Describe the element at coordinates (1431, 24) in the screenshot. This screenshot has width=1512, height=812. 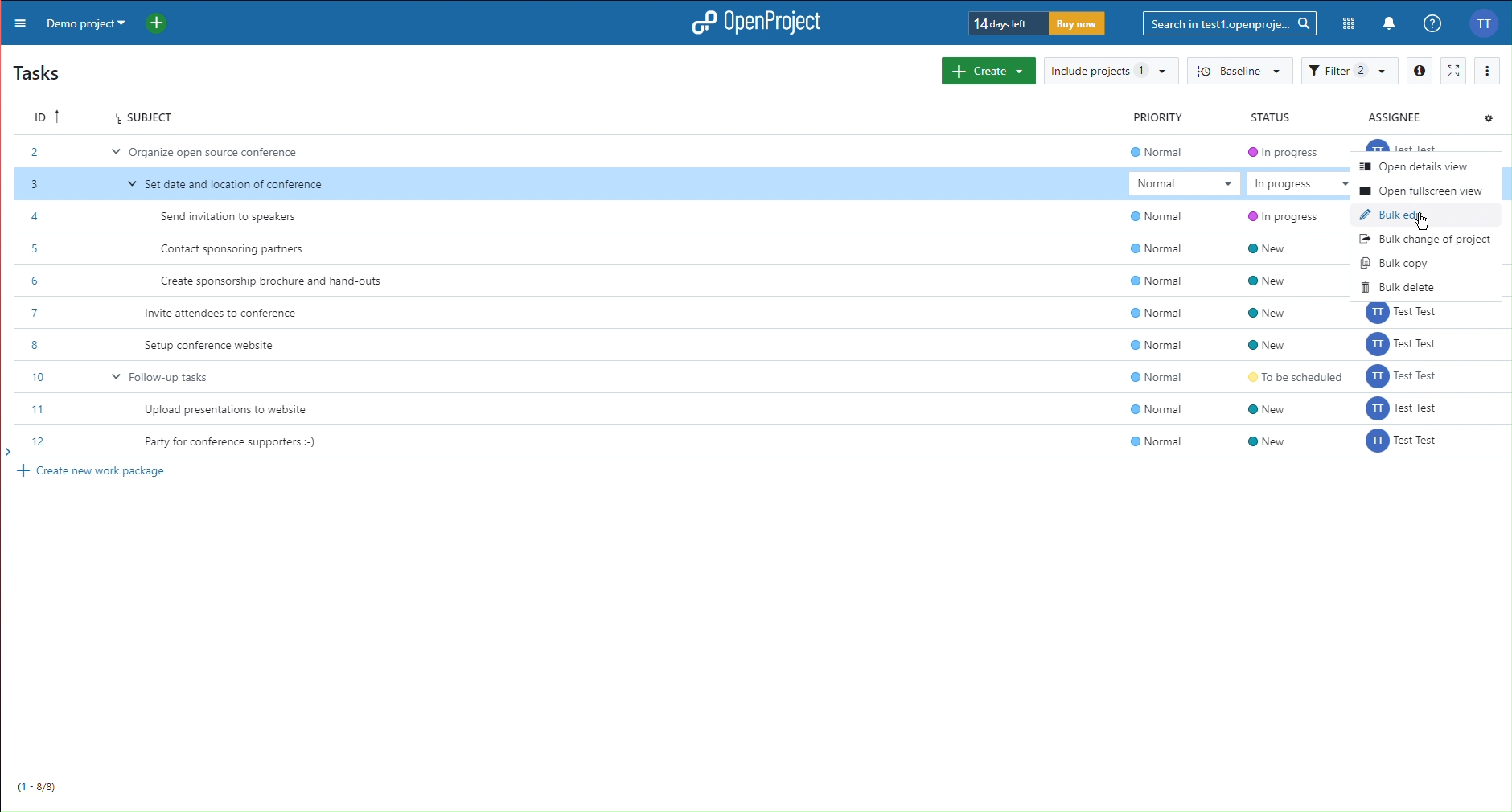
I see `Help` at that location.